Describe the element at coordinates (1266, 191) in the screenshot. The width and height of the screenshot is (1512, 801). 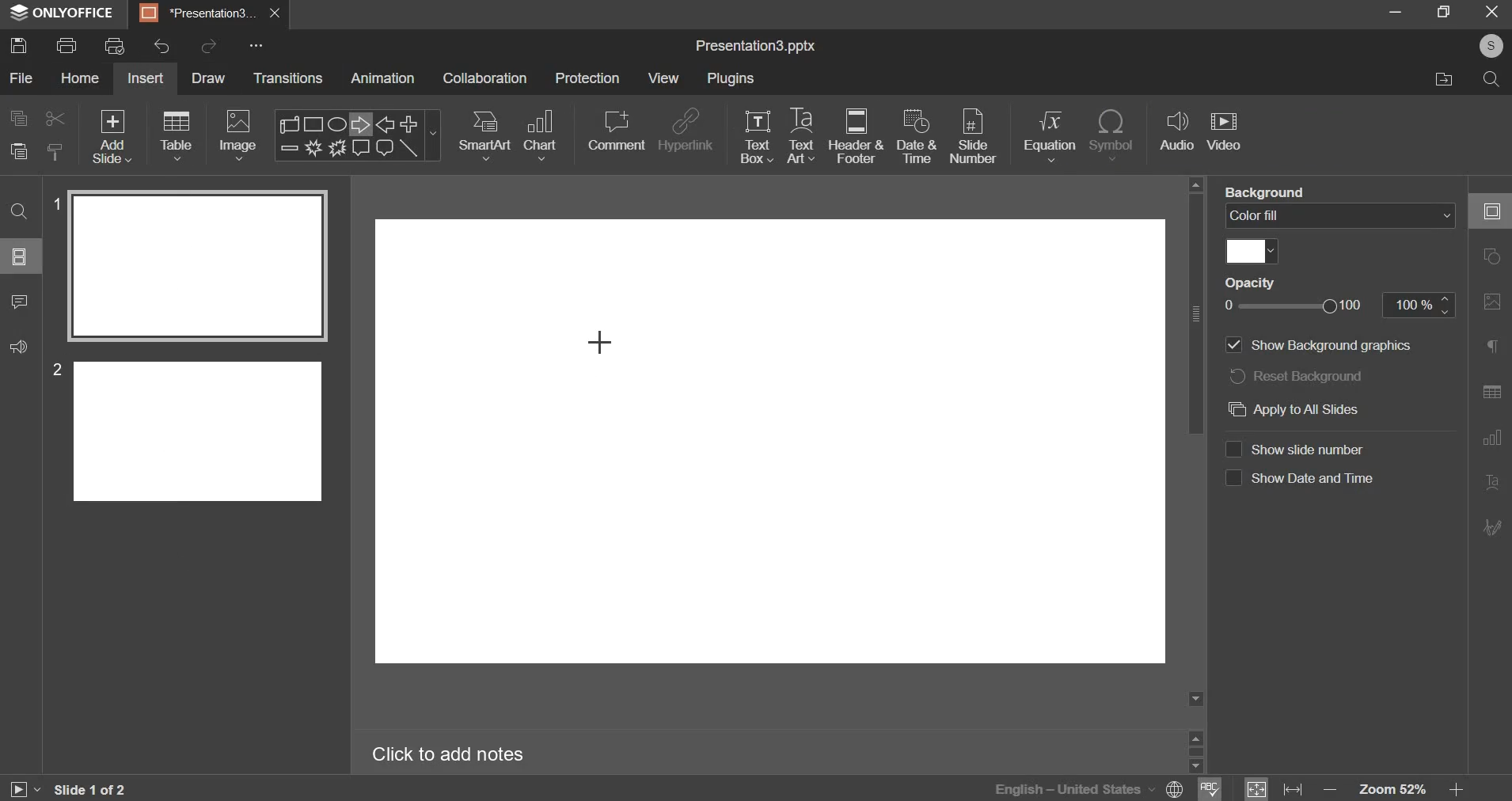
I see `background` at that location.